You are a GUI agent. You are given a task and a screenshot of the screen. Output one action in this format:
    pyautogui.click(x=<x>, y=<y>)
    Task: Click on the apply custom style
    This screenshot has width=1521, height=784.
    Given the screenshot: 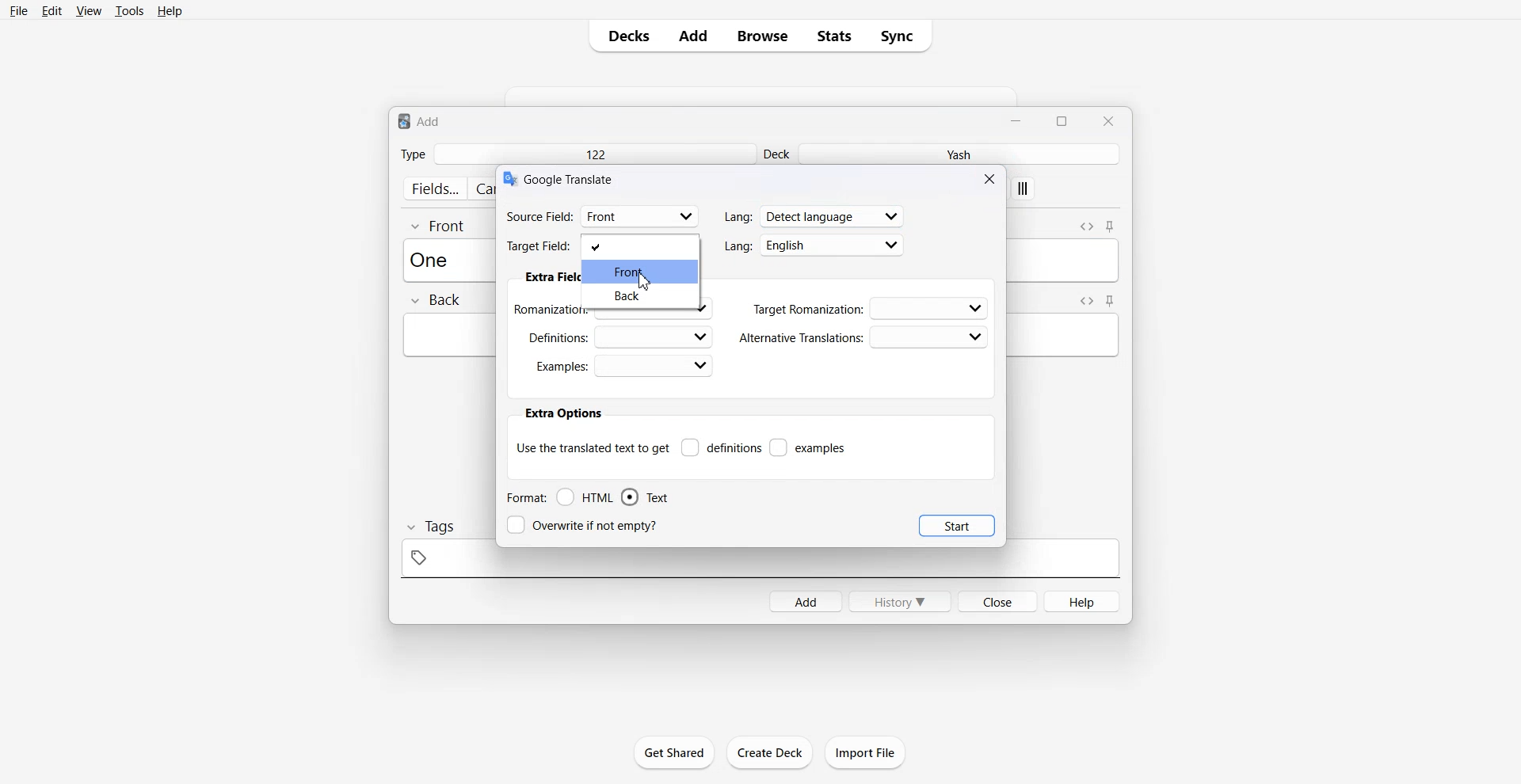 What is the action you would take?
    pyautogui.click(x=1024, y=190)
    